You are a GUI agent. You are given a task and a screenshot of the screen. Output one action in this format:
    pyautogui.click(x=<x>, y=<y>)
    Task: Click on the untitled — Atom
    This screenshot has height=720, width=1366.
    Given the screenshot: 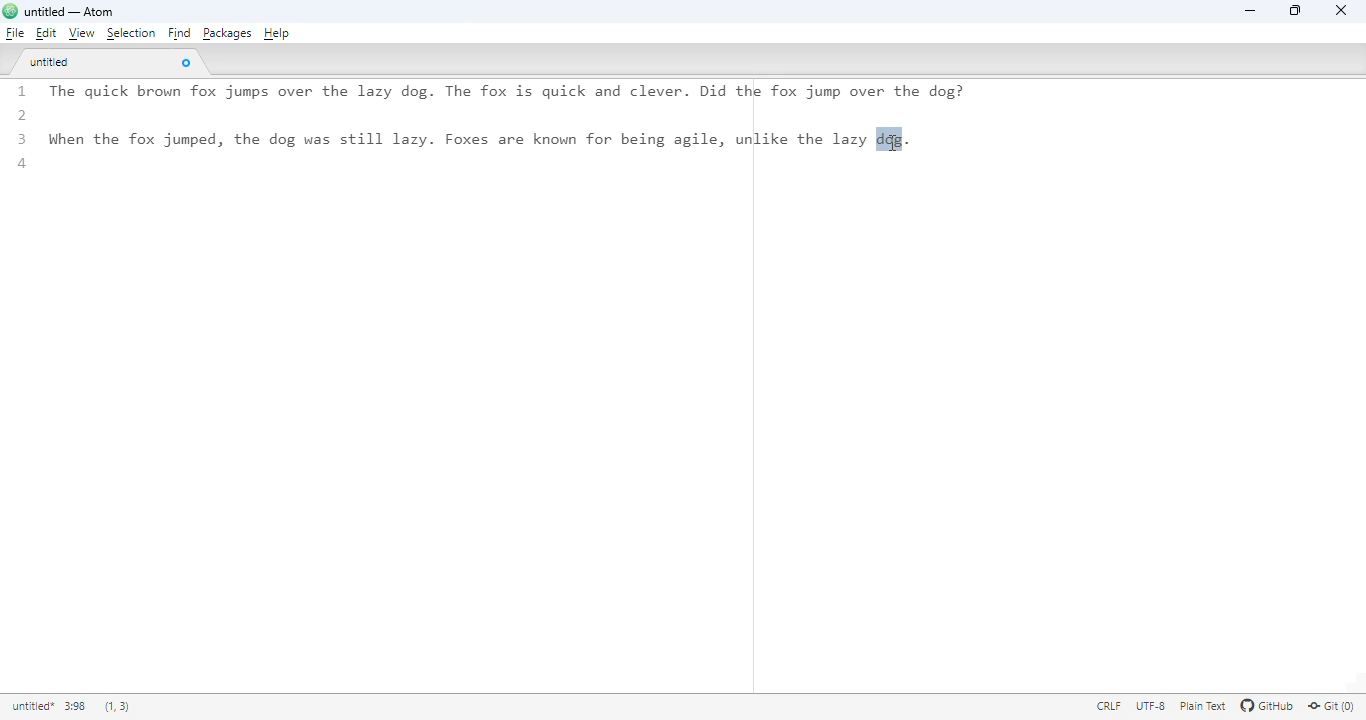 What is the action you would take?
    pyautogui.click(x=76, y=12)
    